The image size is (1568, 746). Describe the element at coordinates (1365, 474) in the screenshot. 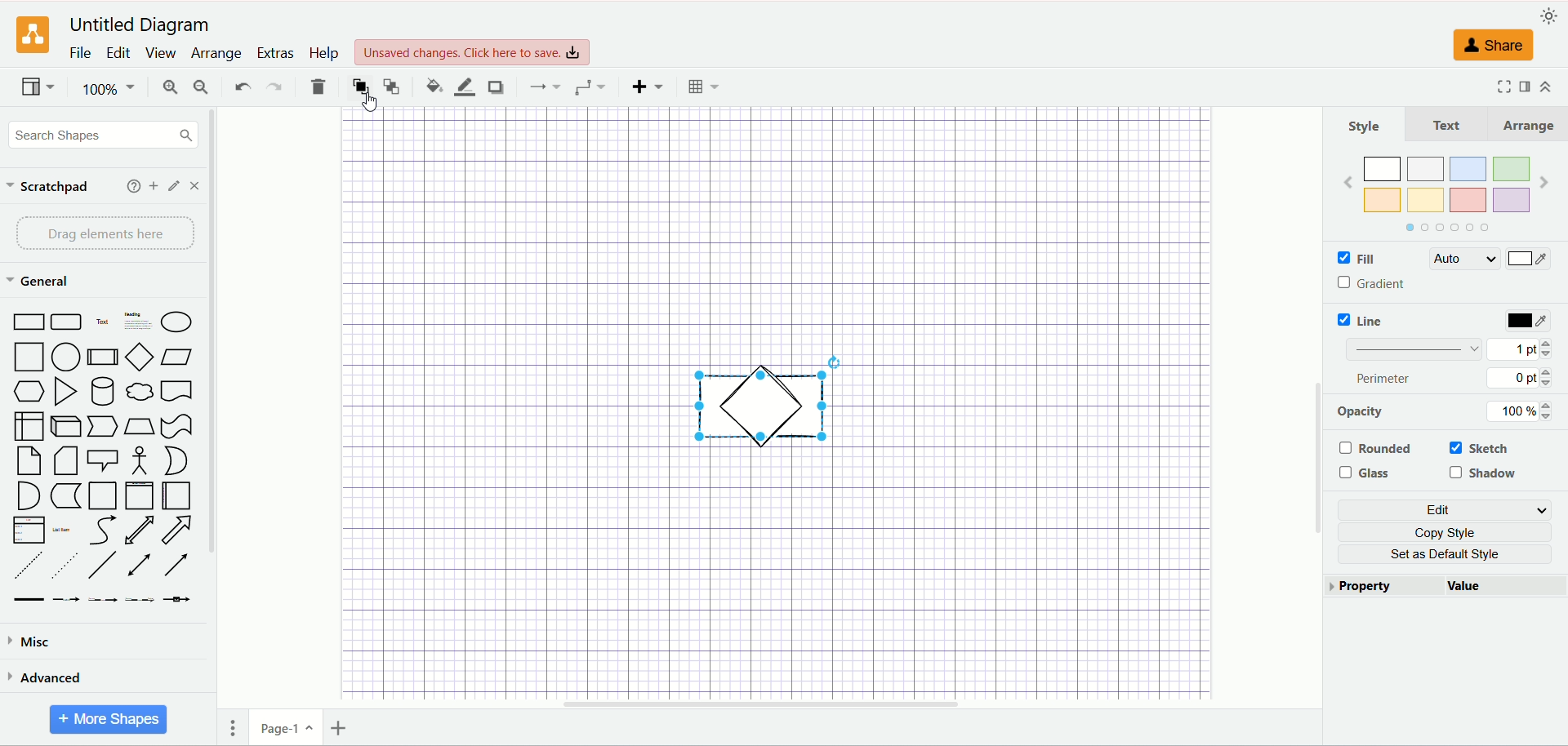

I see `glass` at that location.